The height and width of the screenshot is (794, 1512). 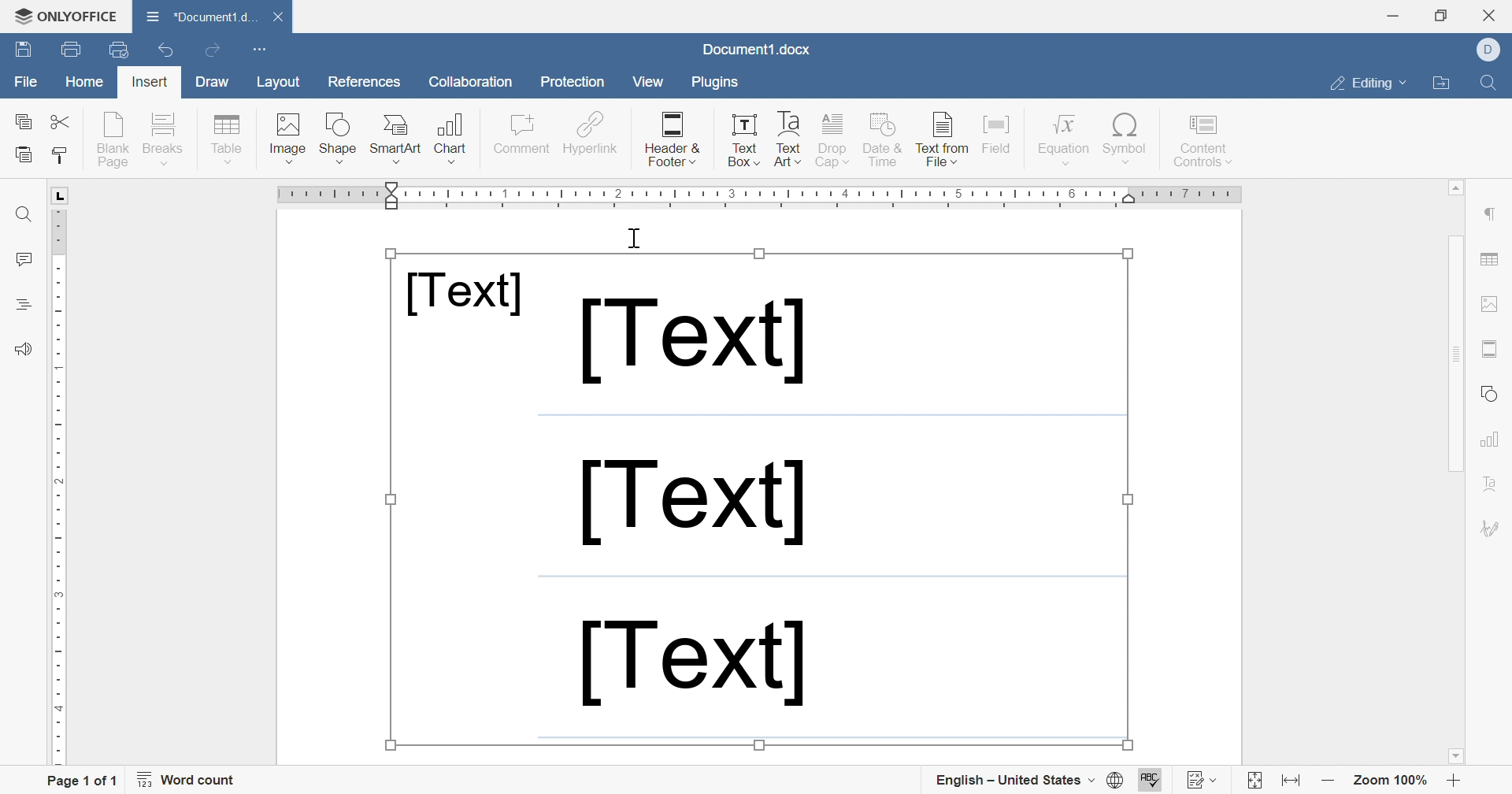 I want to click on Layout, so click(x=276, y=83).